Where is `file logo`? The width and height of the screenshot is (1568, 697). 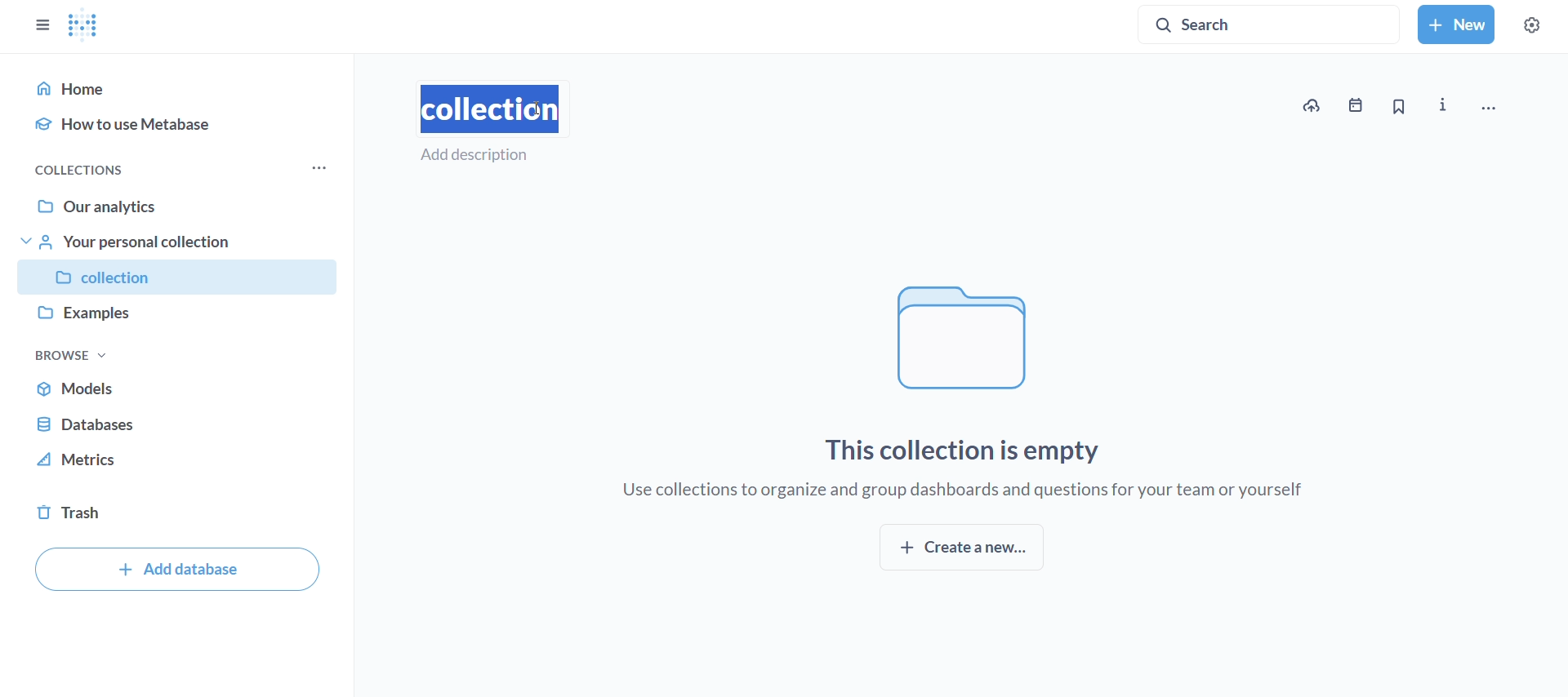
file logo is located at coordinates (968, 338).